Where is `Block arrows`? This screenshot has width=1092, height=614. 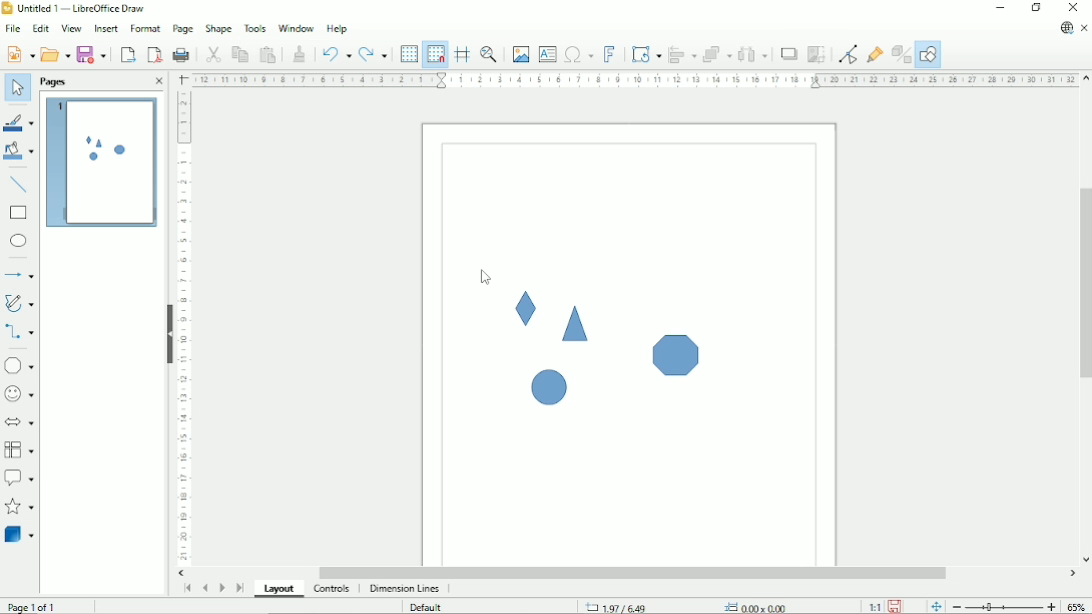 Block arrows is located at coordinates (21, 423).